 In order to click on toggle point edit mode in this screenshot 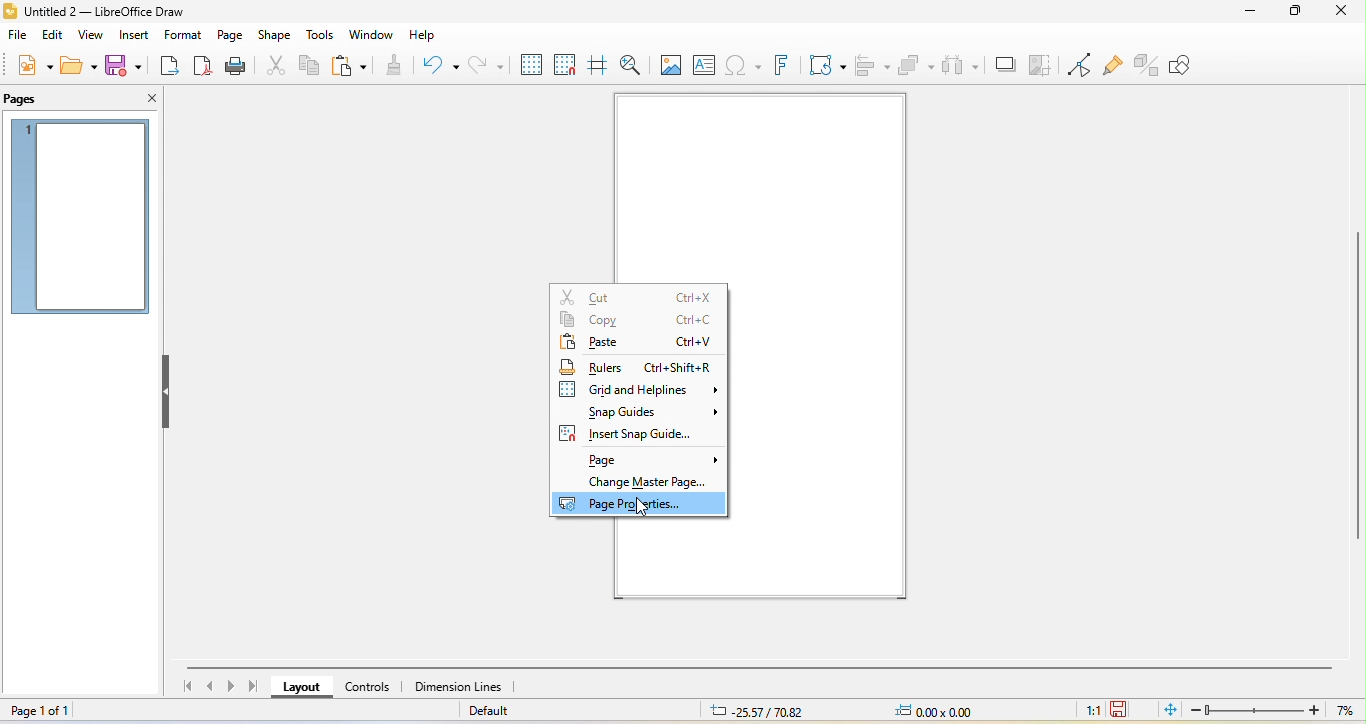, I will do `click(1078, 65)`.